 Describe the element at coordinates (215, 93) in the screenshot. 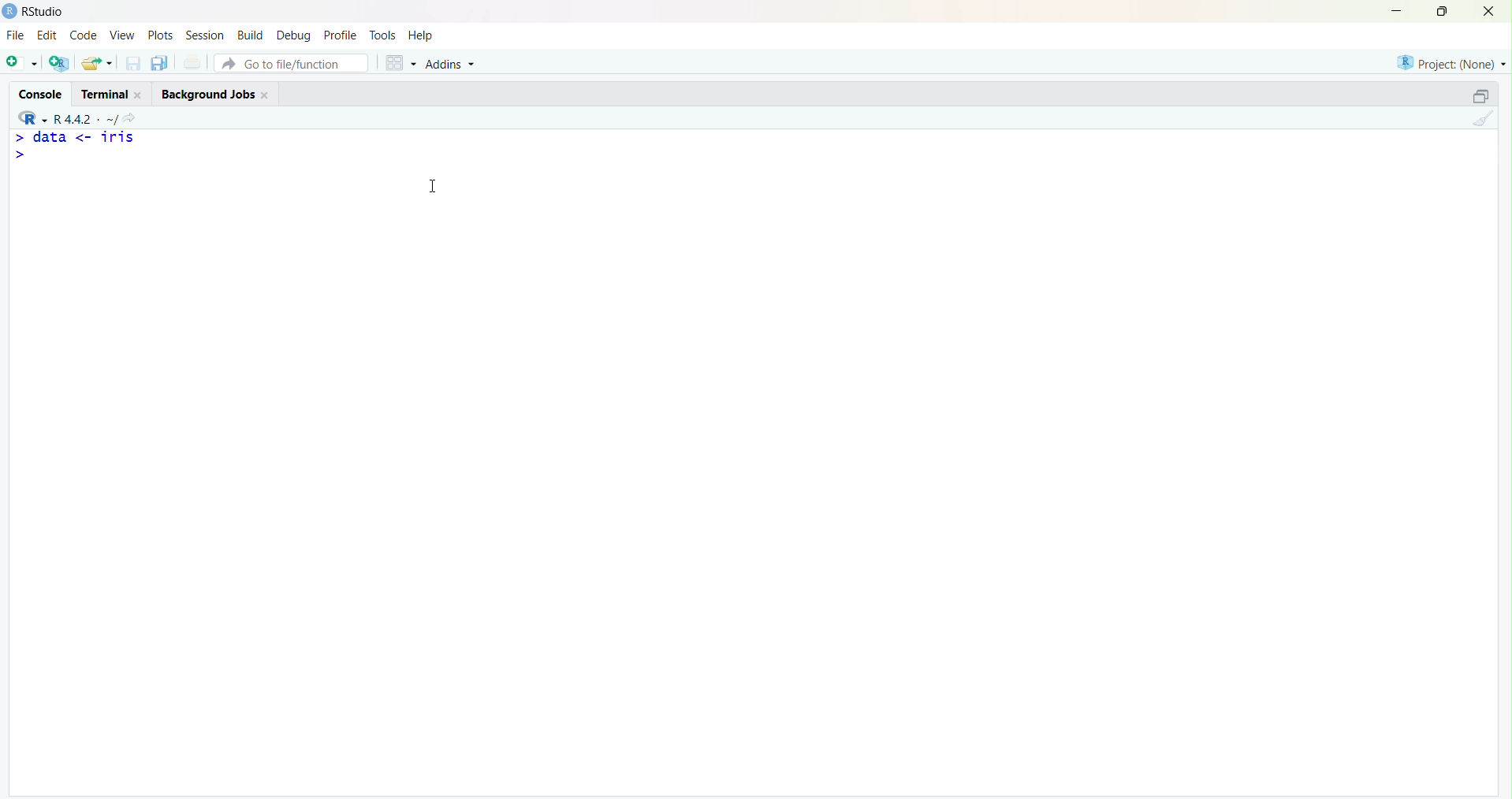

I see `Background Jobs` at that location.